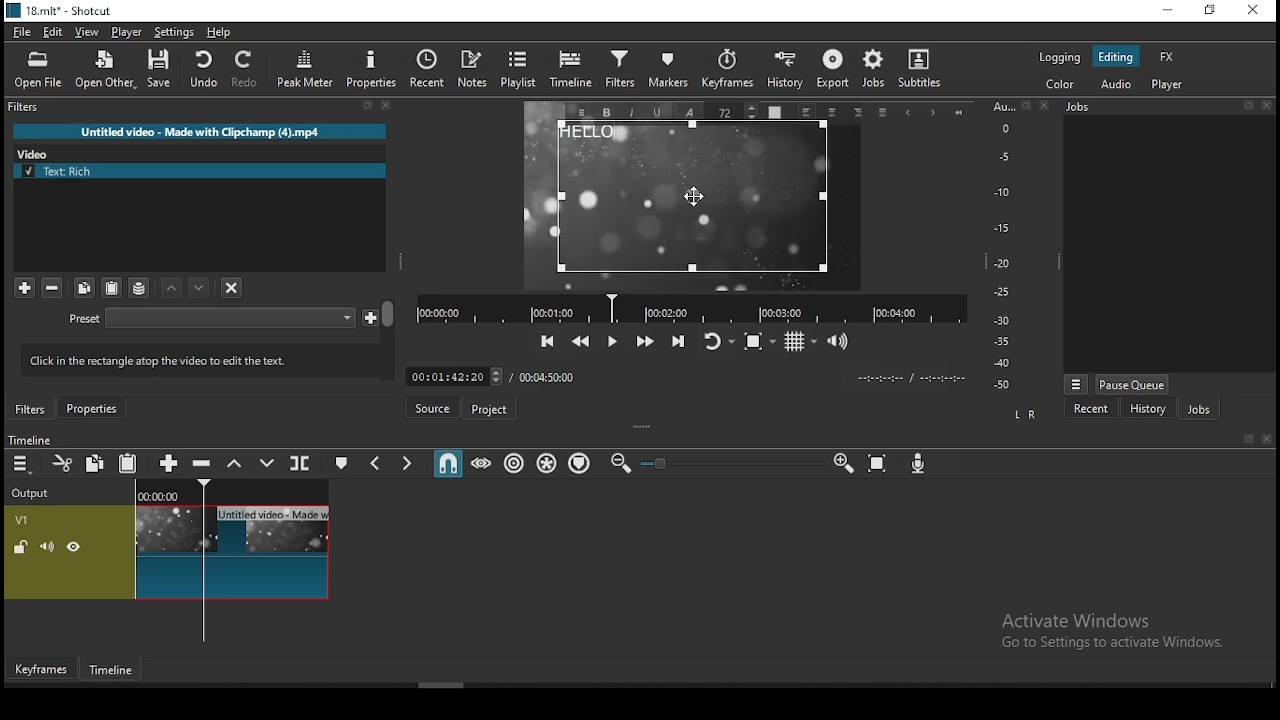 Image resolution: width=1280 pixels, height=720 pixels. Describe the element at coordinates (29, 439) in the screenshot. I see `Timeline` at that location.